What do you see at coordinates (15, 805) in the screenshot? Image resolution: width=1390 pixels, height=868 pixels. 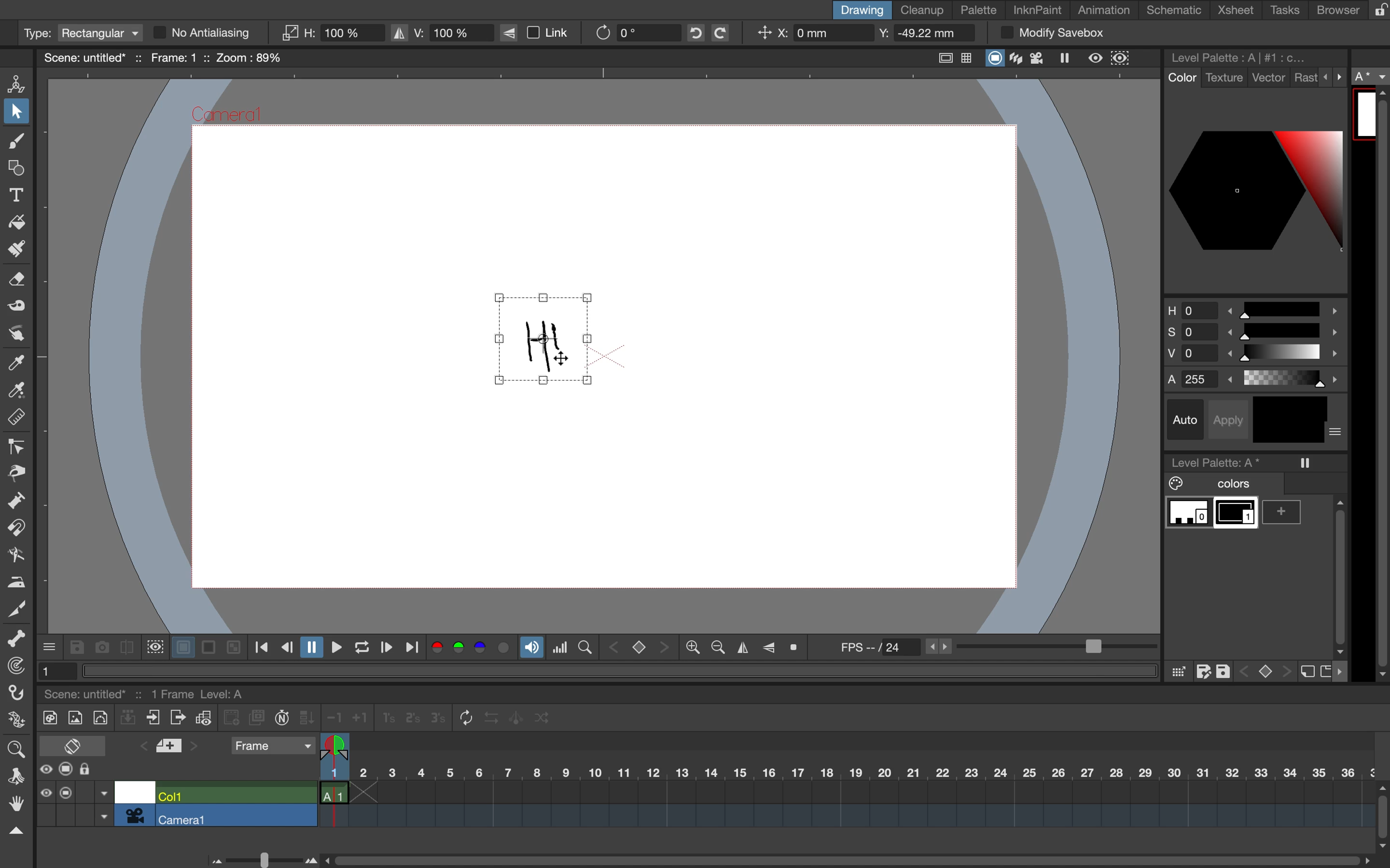 I see `hand tool` at bounding box center [15, 805].